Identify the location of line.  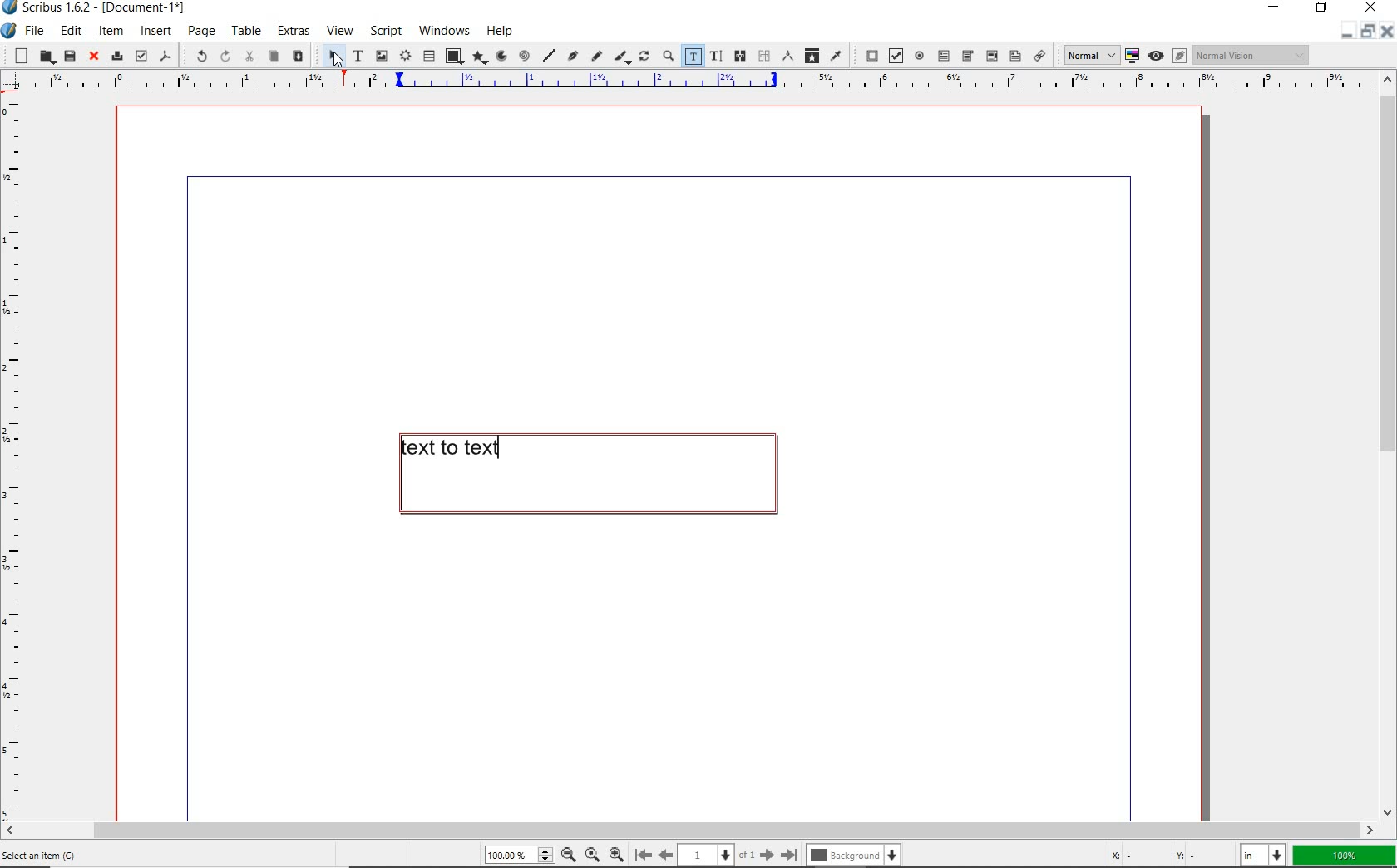
(548, 55).